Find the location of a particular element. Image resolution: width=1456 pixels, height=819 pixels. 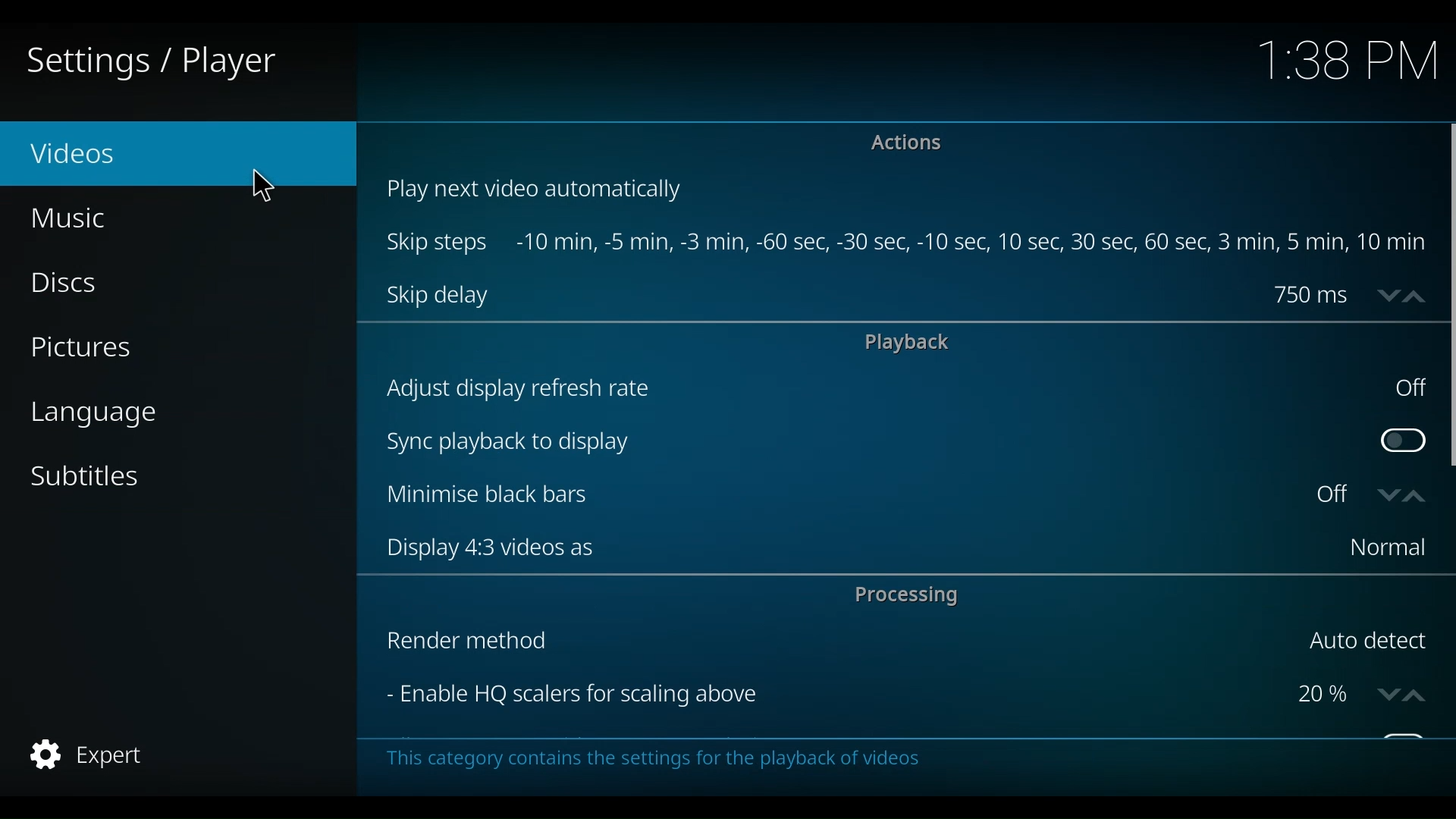

Toggle on or off is located at coordinates (1345, 495).